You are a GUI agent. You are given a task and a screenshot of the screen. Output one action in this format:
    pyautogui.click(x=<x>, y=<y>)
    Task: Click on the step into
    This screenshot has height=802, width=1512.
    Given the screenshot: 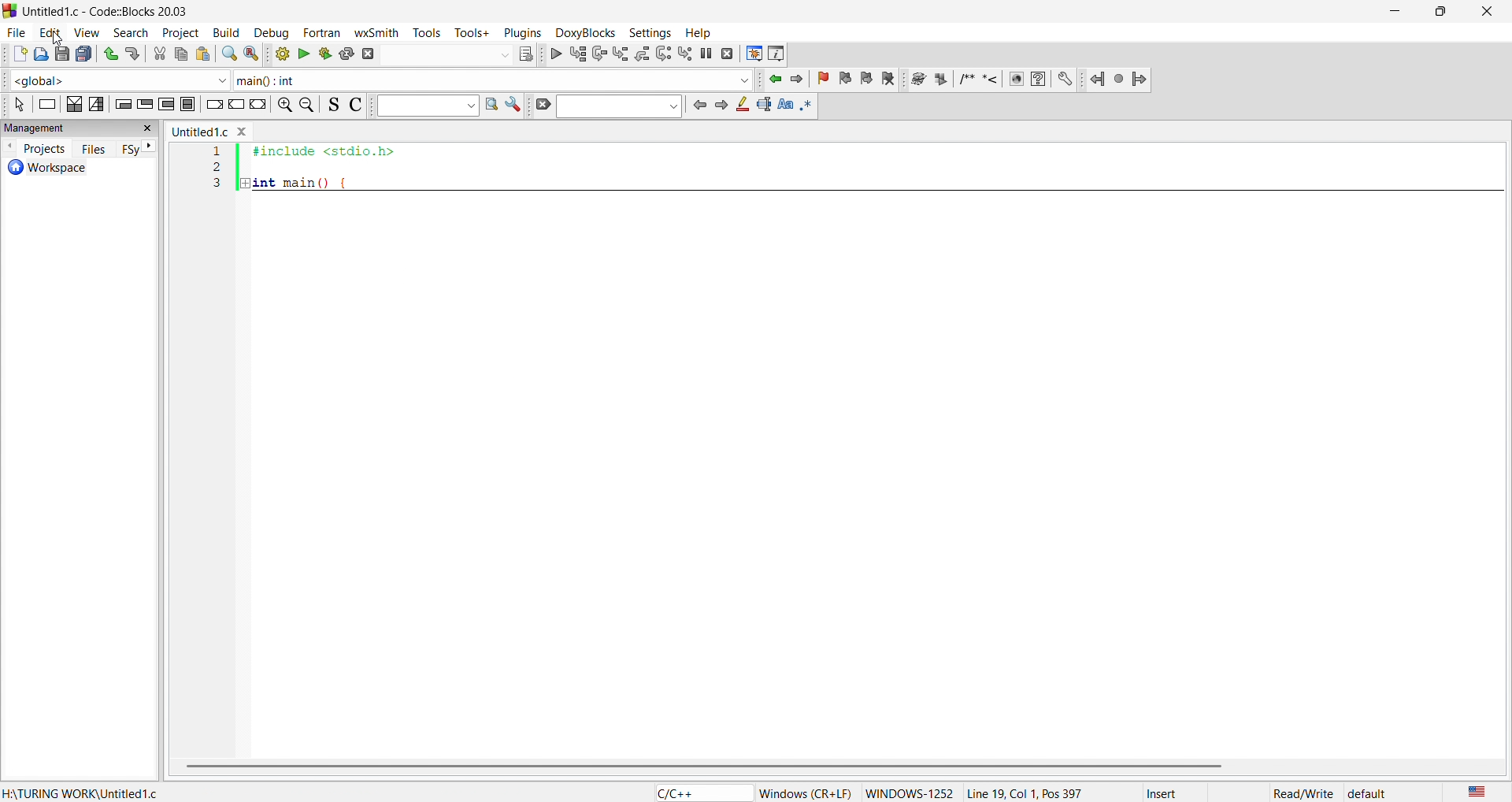 What is the action you would take?
    pyautogui.click(x=621, y=54)
    